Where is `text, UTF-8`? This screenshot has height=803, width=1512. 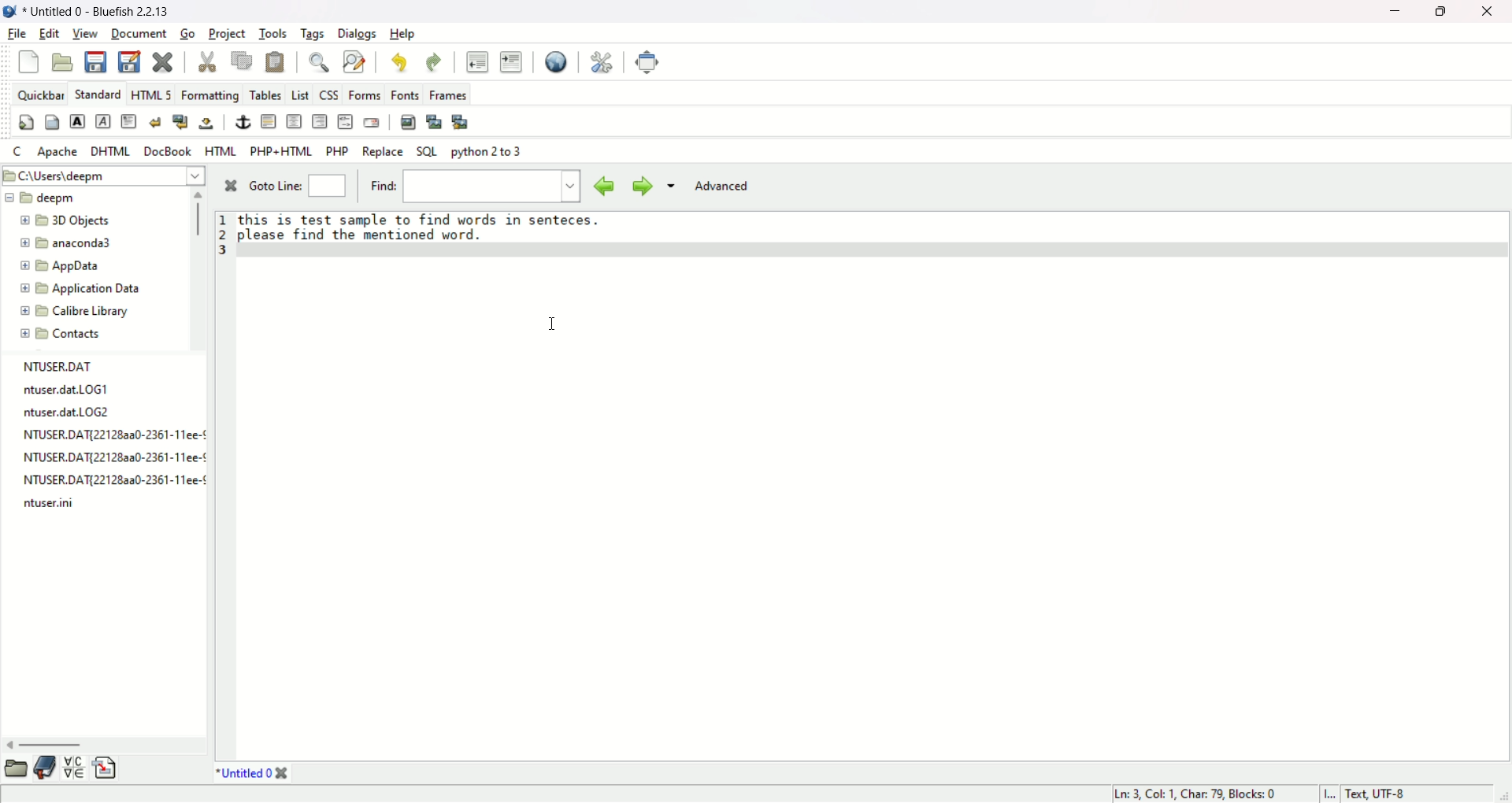 text, UTF-8 is located at coordinates (1383, 794).